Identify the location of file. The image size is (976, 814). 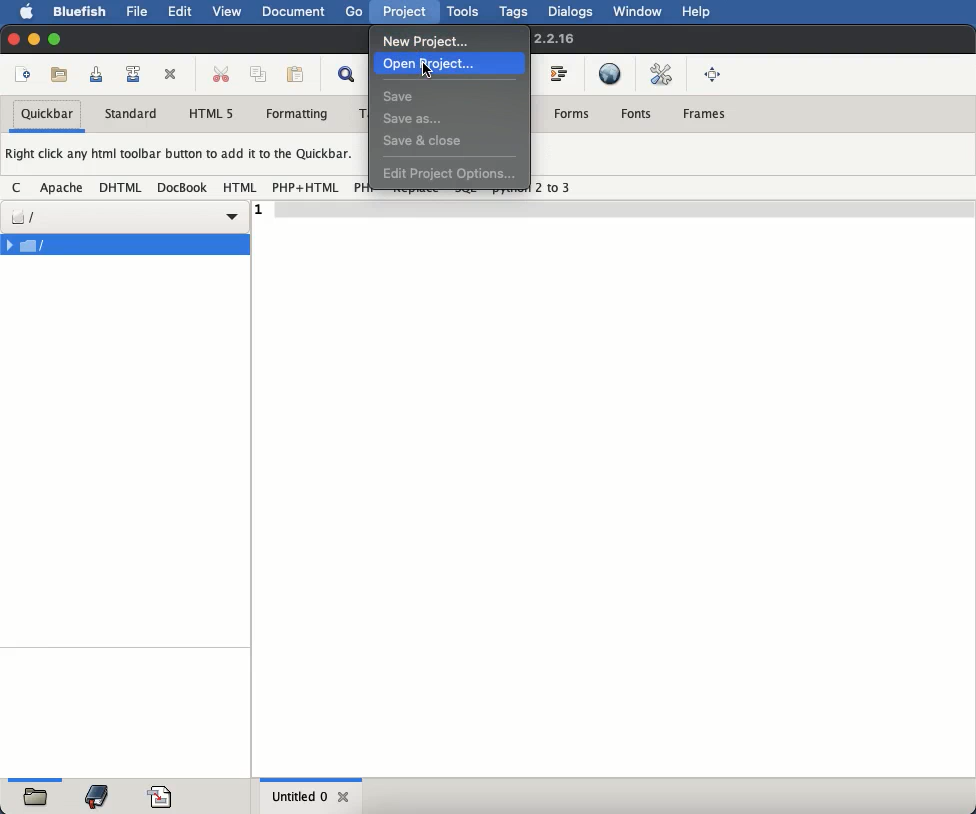
(124, 244).